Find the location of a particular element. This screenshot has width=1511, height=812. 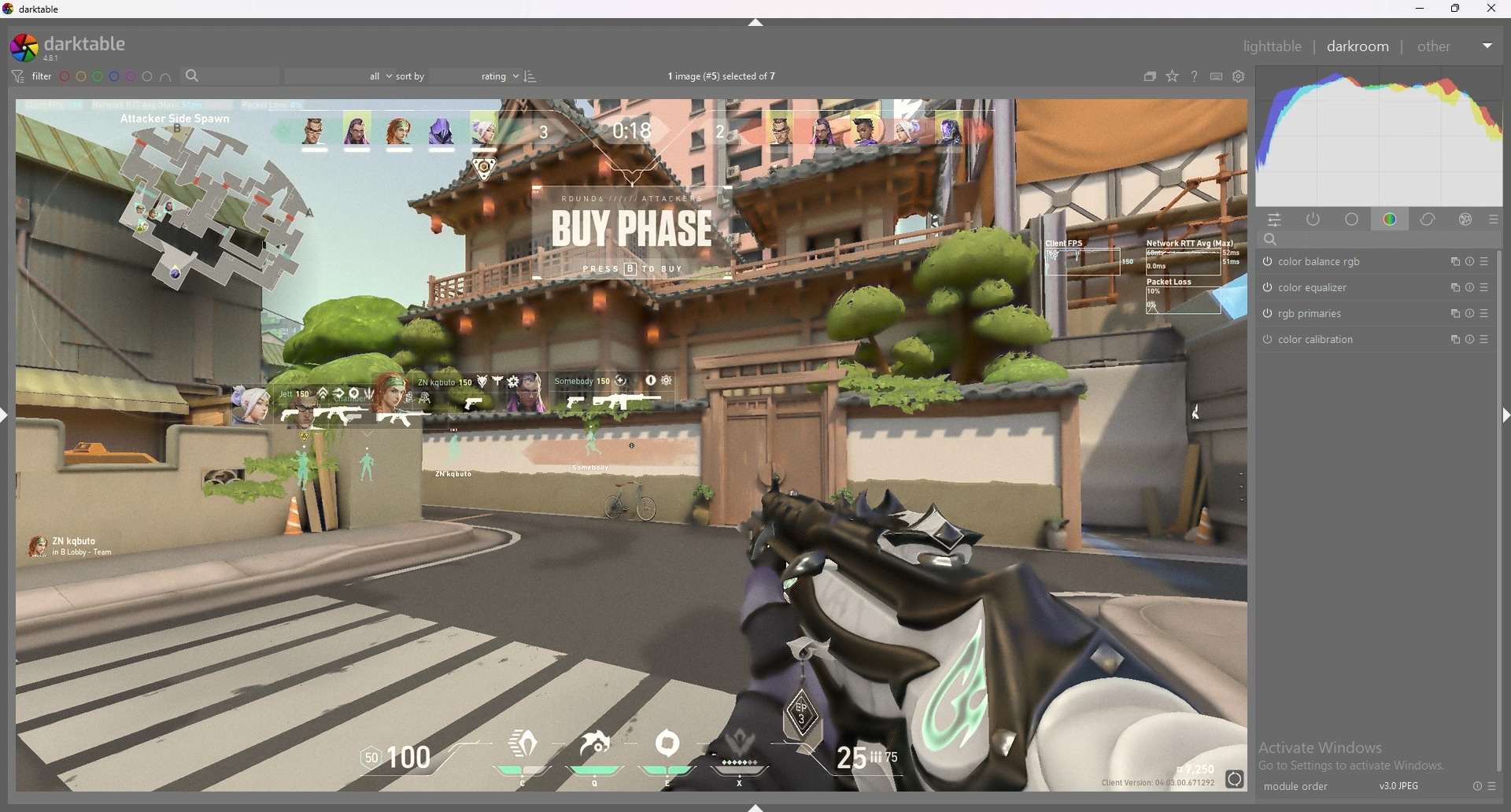

rgb primaries is located at coordinates (1330, 314).